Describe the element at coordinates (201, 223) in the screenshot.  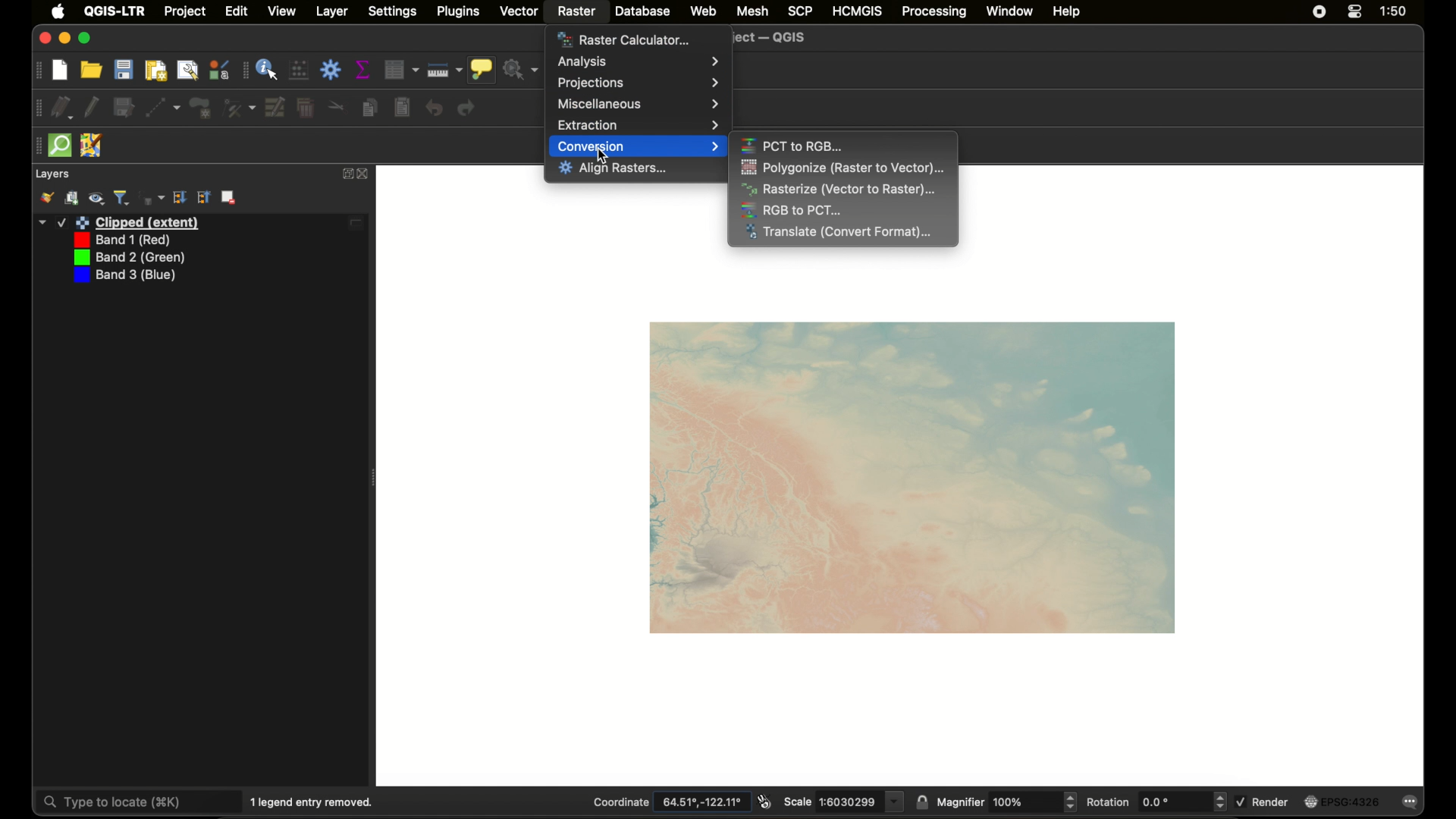
I see `layer 1 edited` at that location.